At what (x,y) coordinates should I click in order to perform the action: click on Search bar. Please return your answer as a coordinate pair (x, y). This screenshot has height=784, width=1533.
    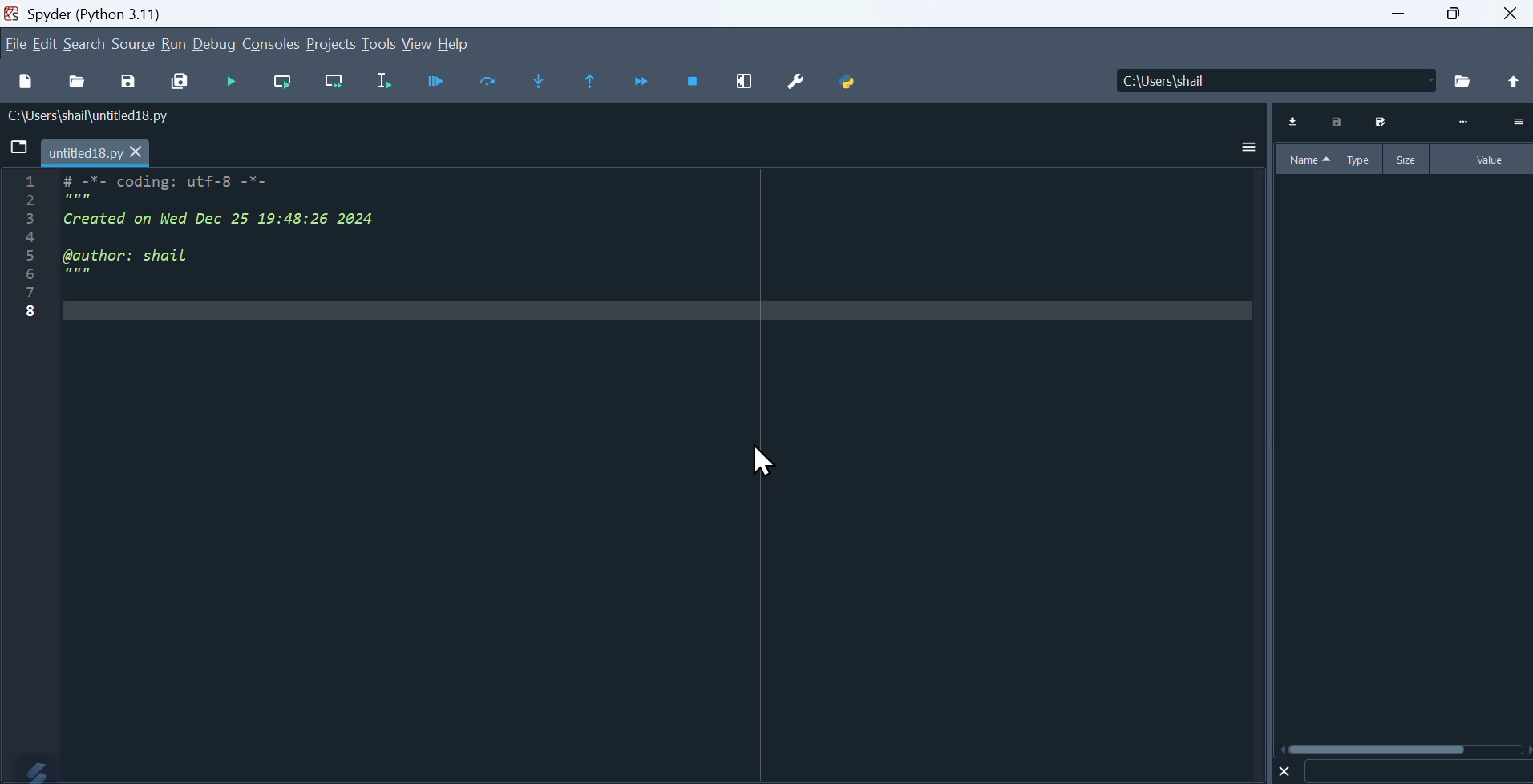
    Looking at the image, I should click on (1417, 772).